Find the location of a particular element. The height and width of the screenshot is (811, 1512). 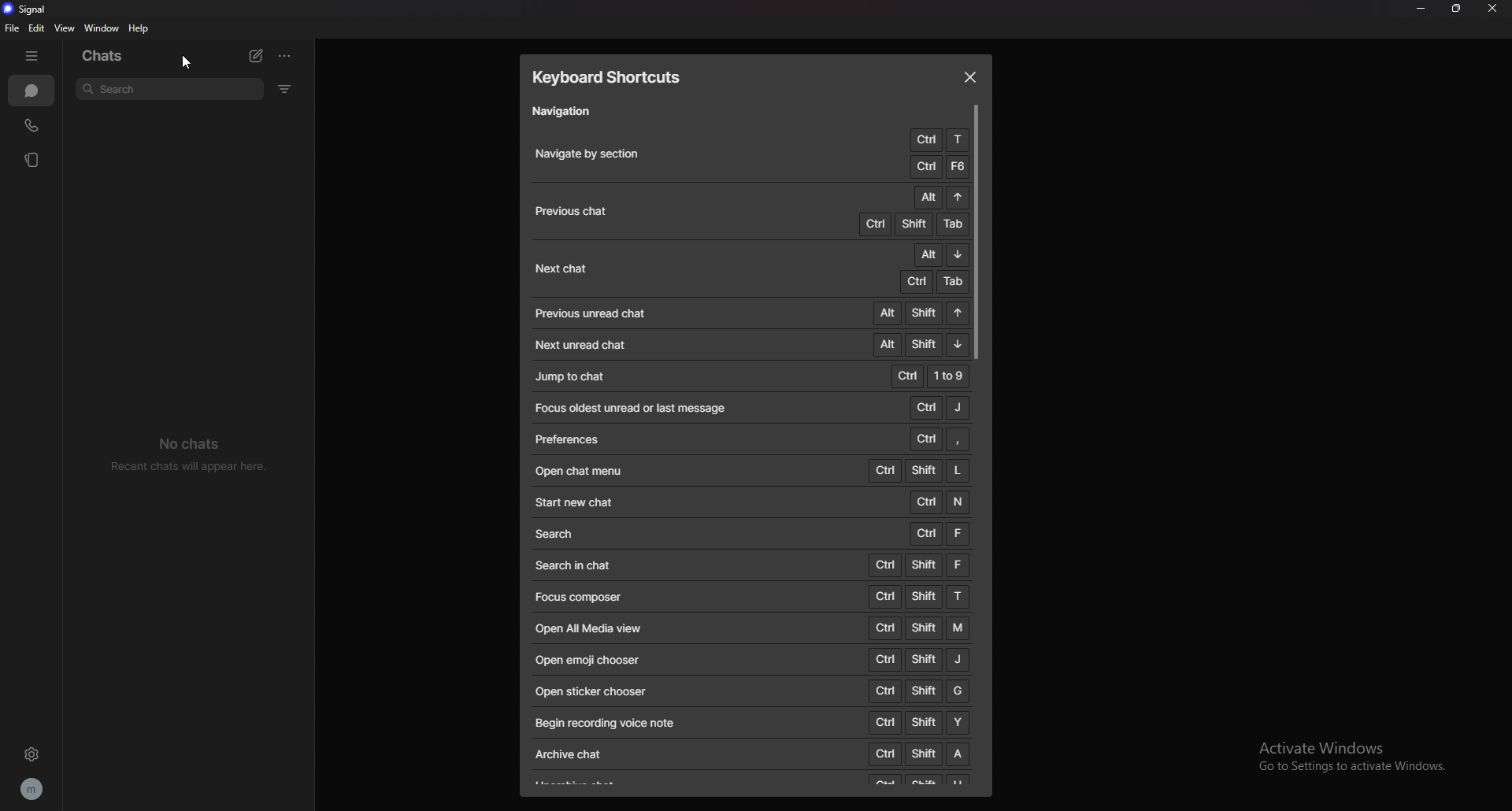

ALT + SHIFT + UP is located at coordinates (919, 312).